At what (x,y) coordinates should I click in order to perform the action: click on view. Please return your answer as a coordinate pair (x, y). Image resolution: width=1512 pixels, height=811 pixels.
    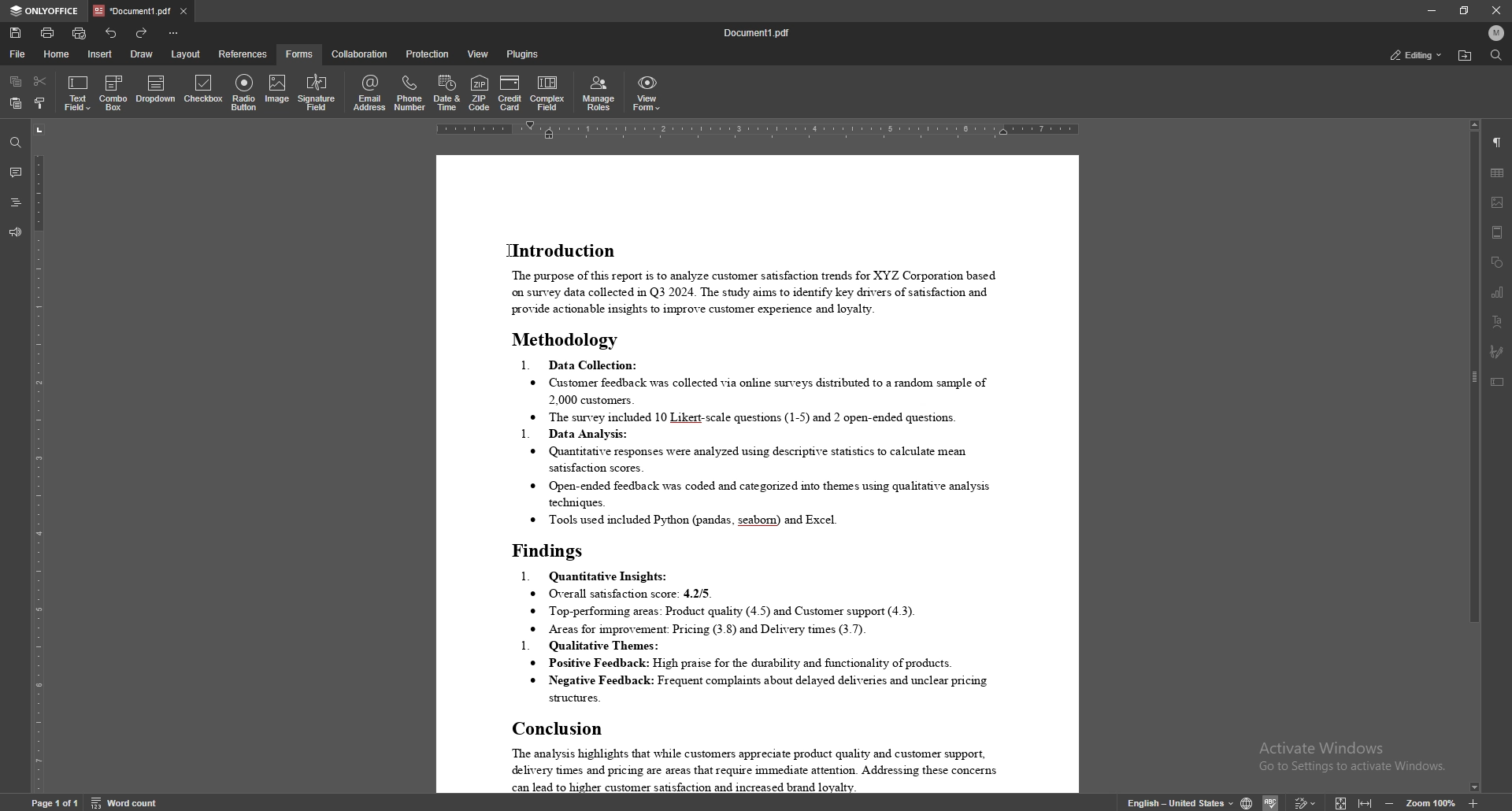
    Looking at the image, I should click on (479, 54).